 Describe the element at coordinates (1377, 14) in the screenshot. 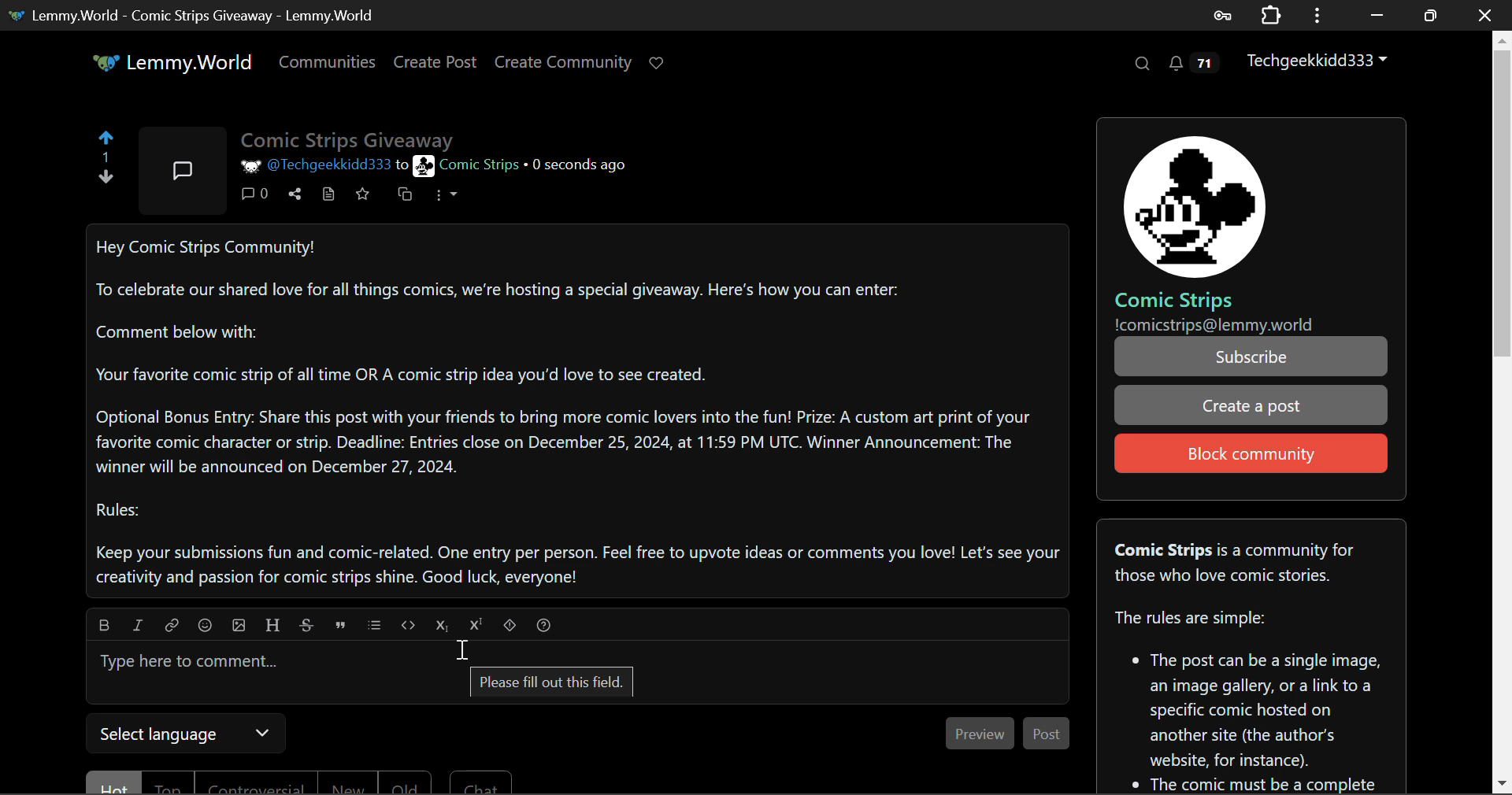

I see `Restore Down` at that location.